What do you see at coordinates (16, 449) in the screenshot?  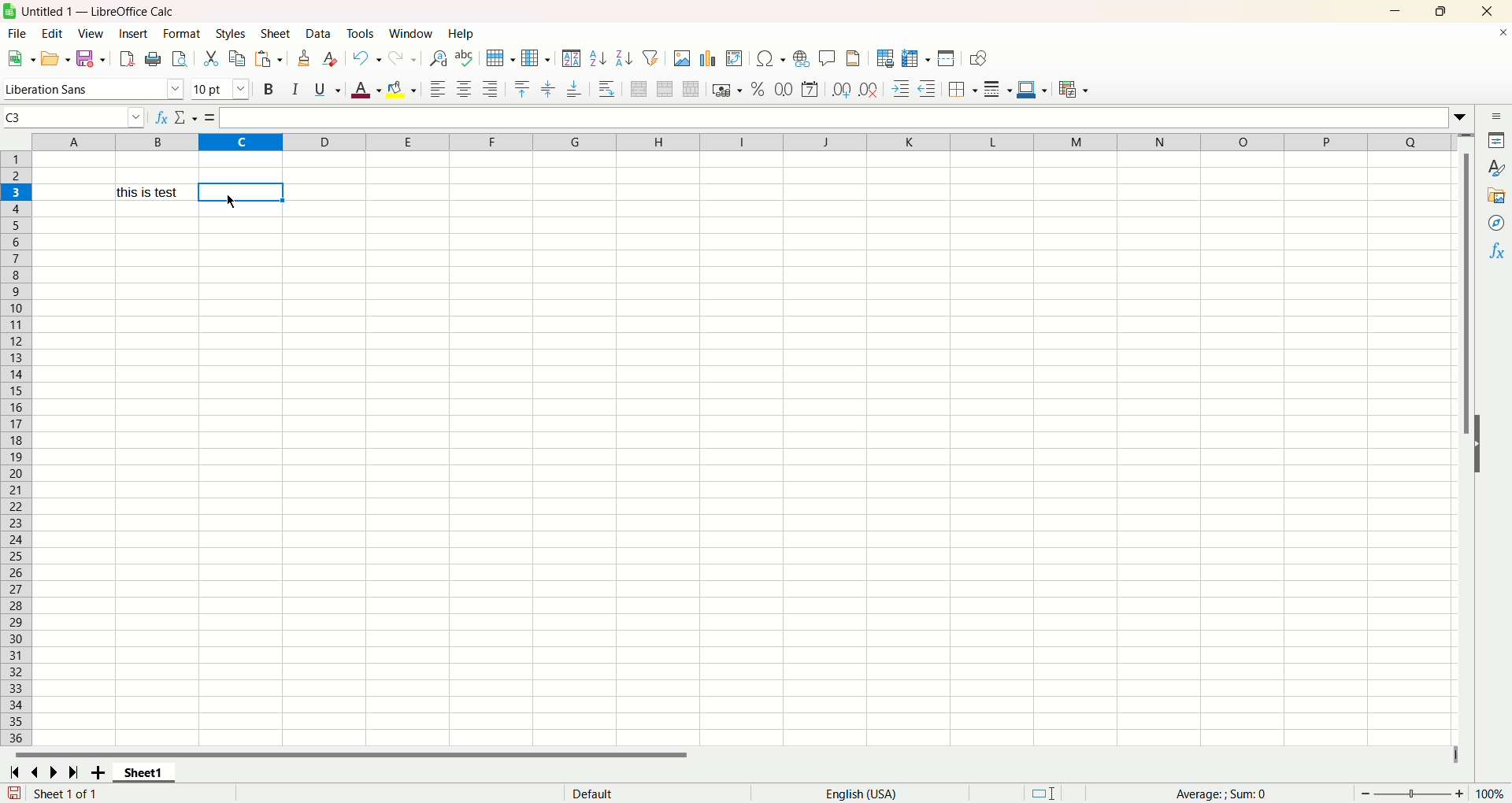 I see `row number` at bounding box center [16, 449].